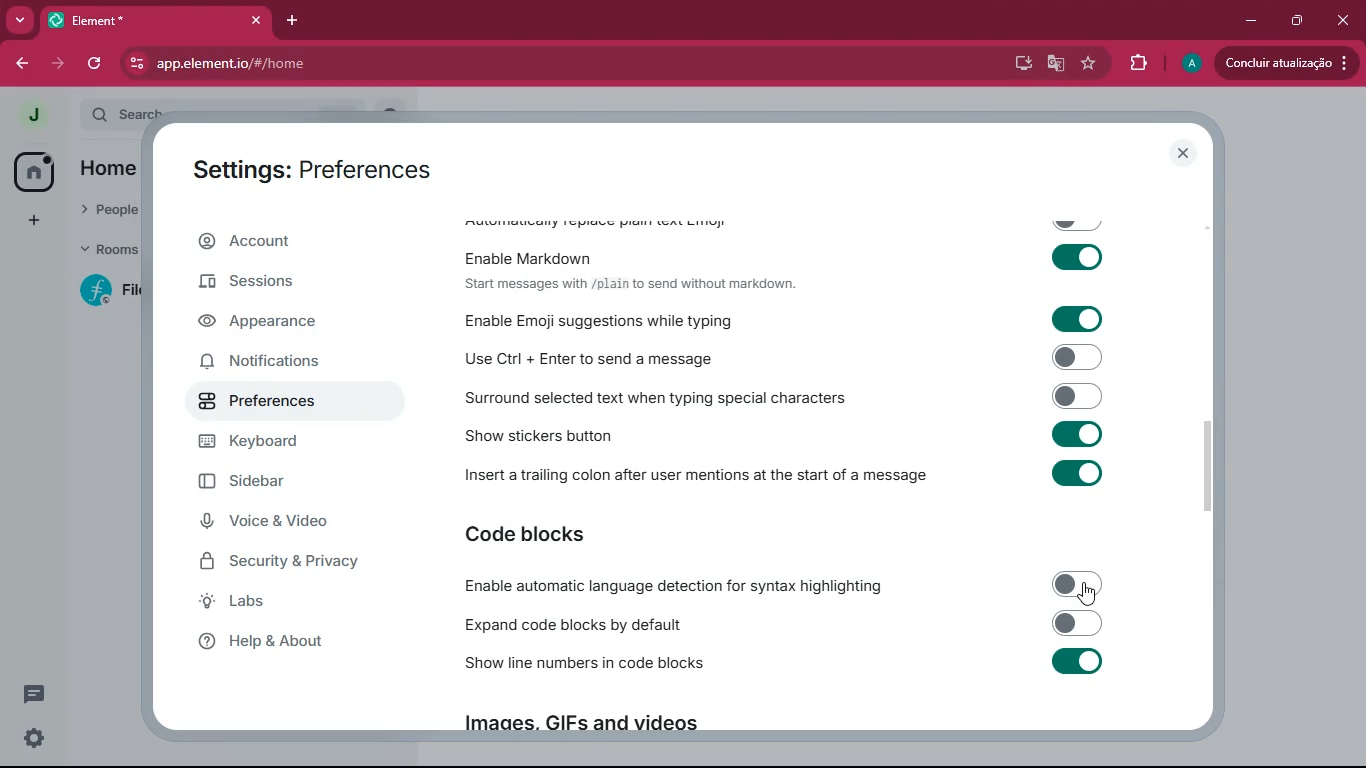 This screenshot has width=1366, height=768. I want to click on appearance, so click(279, 324).